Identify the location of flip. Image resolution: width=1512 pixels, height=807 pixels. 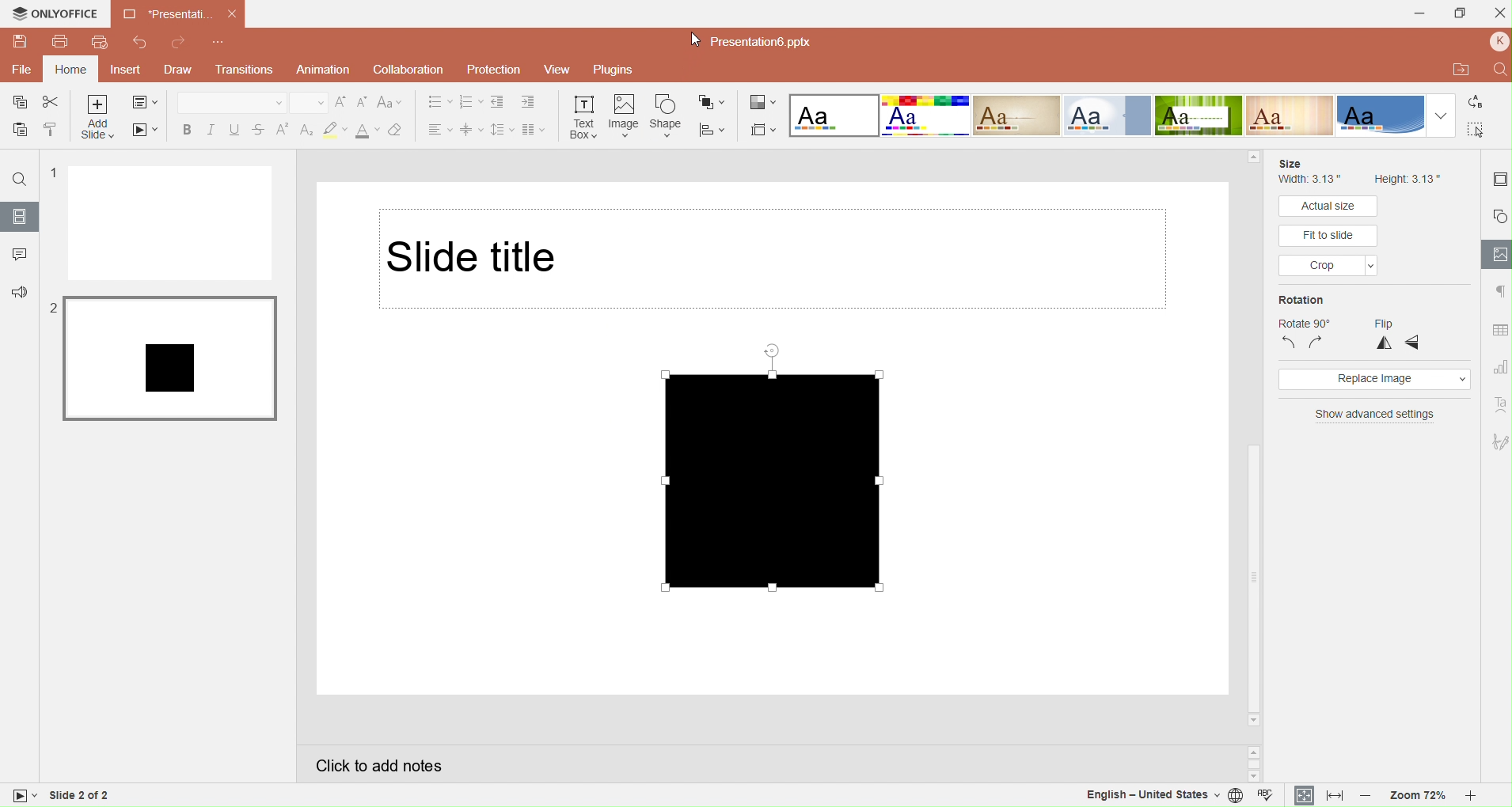
(1385, 324).